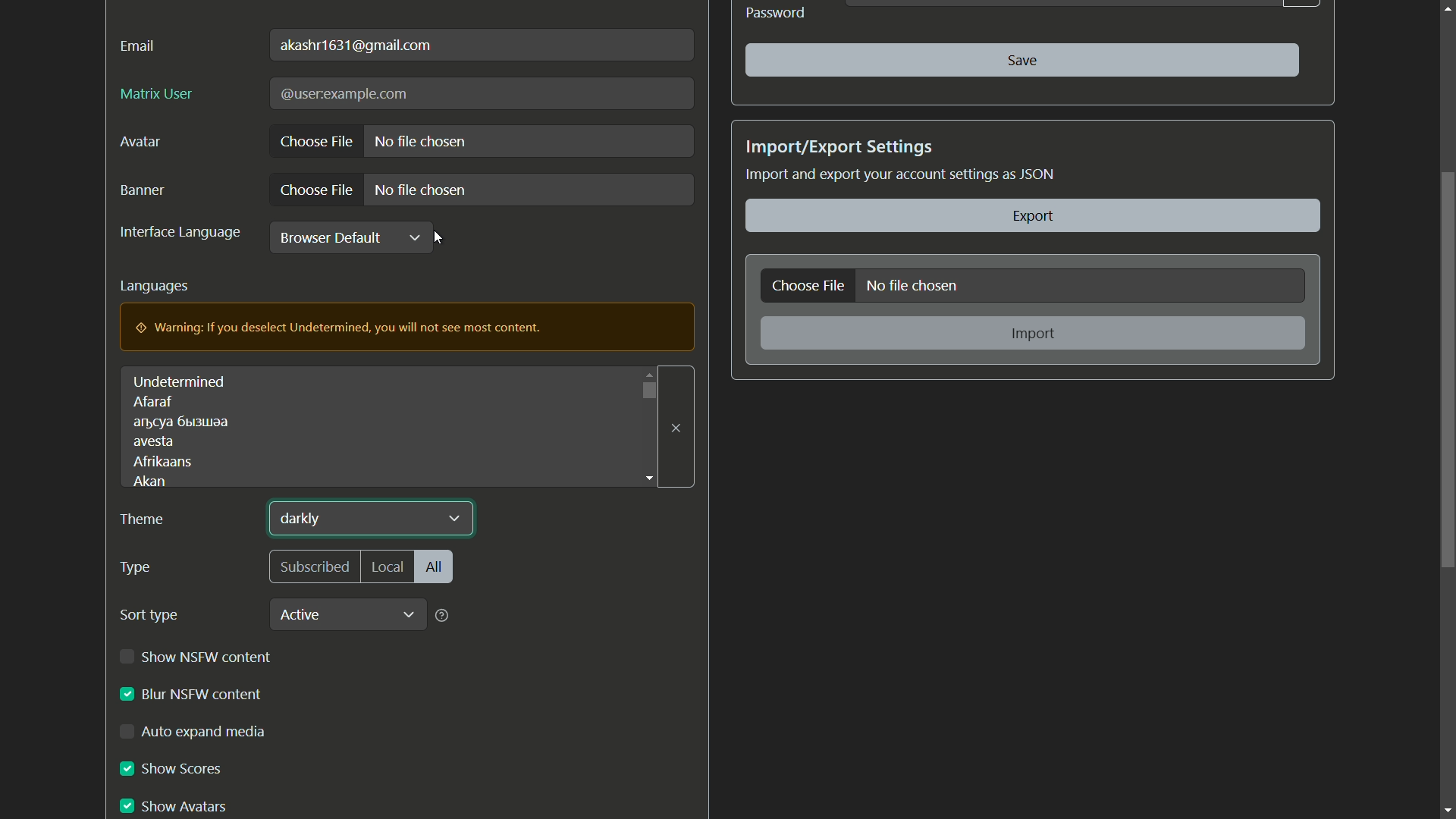 The width and height of the screenshot is (1456, 819). What do you see at coordinates (416, 237) in the screenshot?
I see `dropdown` at bounding box center [416, 237].